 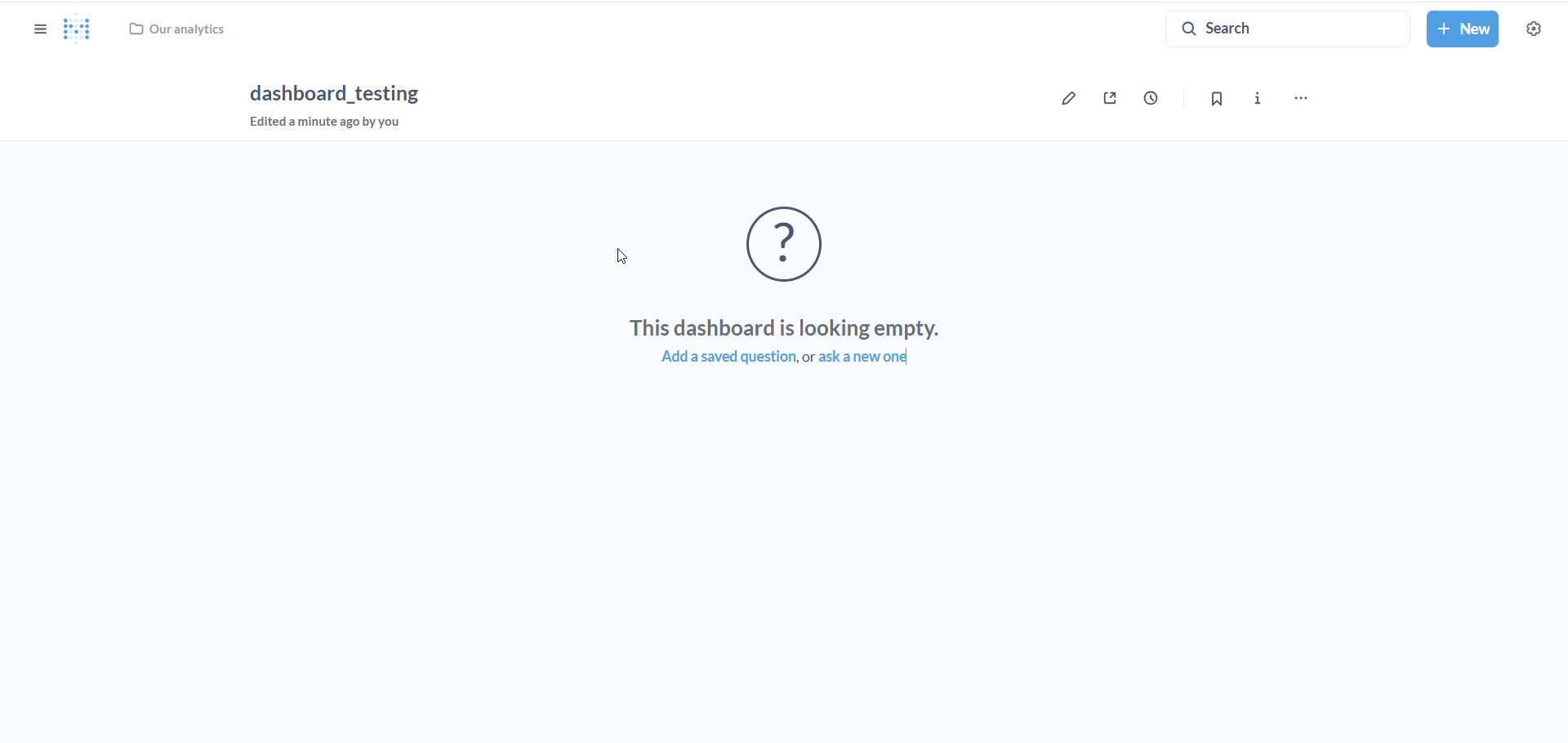 I want to click on This dashboard is looking empty , so click(x=777, y=326).